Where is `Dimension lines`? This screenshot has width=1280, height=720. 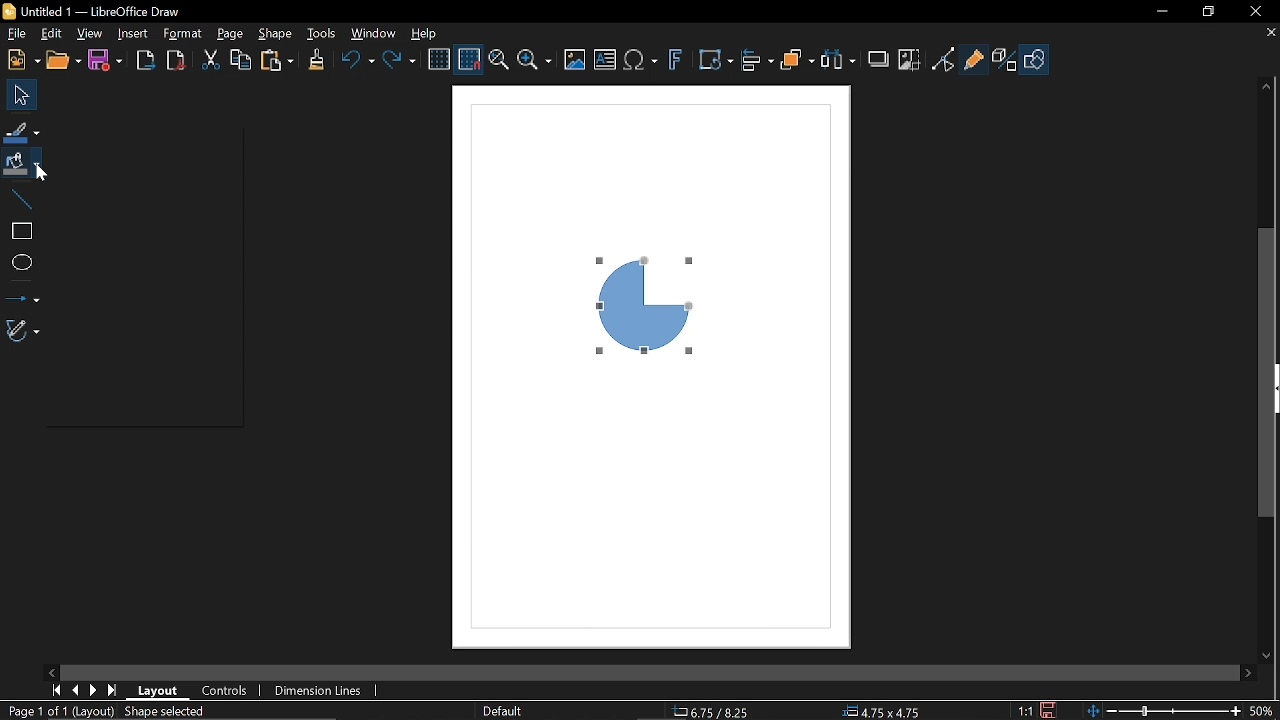
Dimension lines is located at coordinates (318, 691).